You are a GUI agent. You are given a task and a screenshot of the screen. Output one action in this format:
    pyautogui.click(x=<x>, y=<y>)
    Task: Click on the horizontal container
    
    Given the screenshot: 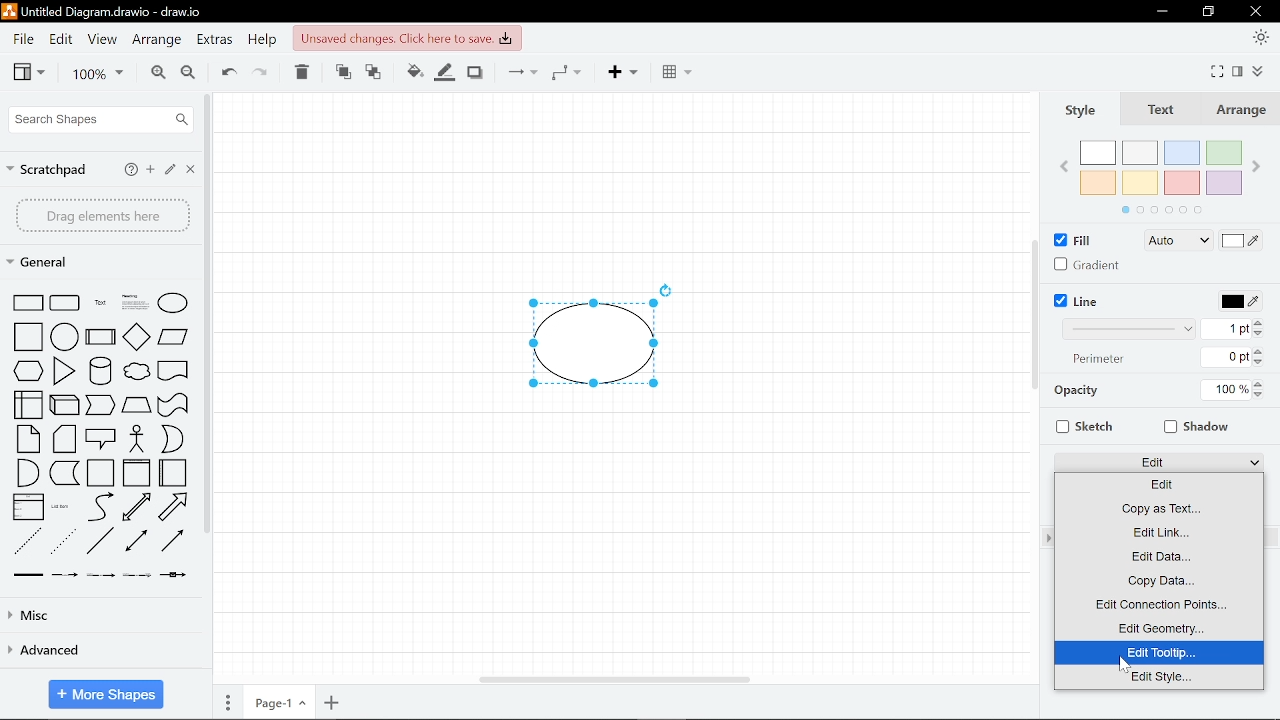 What is the action you would take?
    pyautogui.click(x=174, y=473)
    